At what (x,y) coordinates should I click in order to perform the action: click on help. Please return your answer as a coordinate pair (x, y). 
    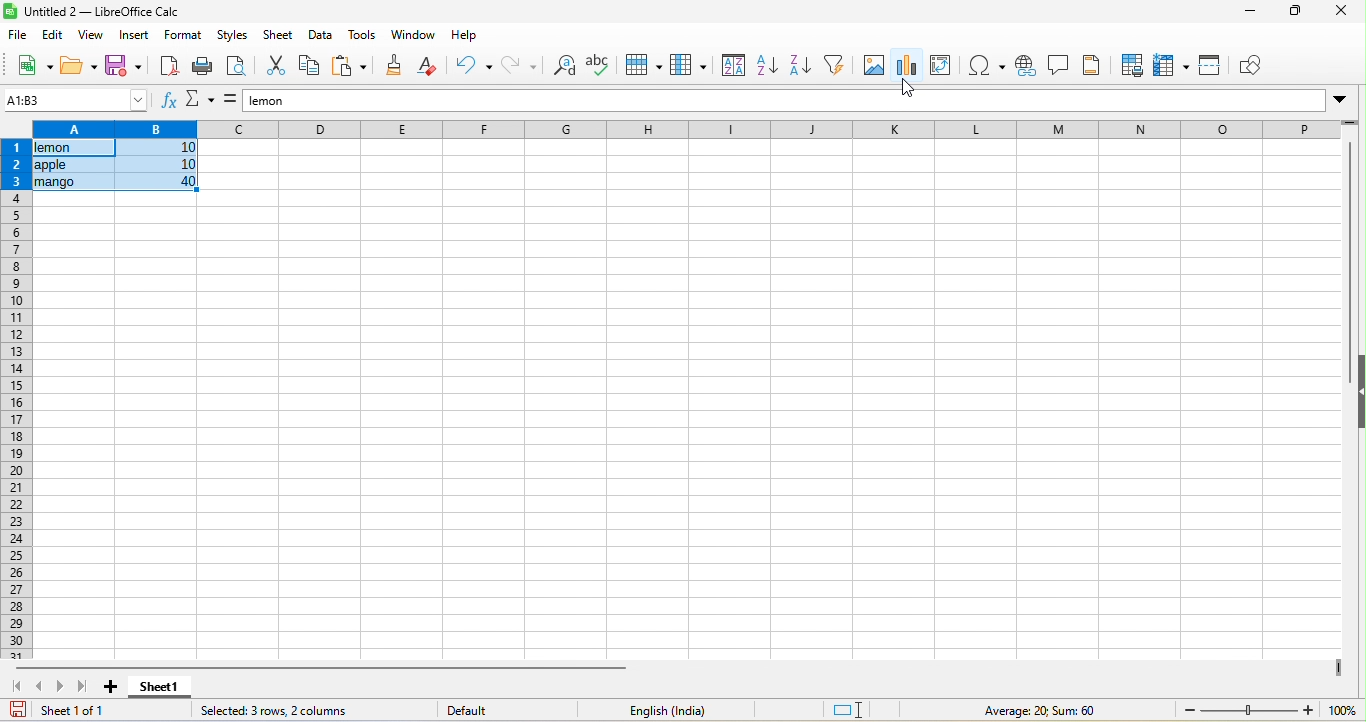
    Looking at the image, I should click on (461, 34).